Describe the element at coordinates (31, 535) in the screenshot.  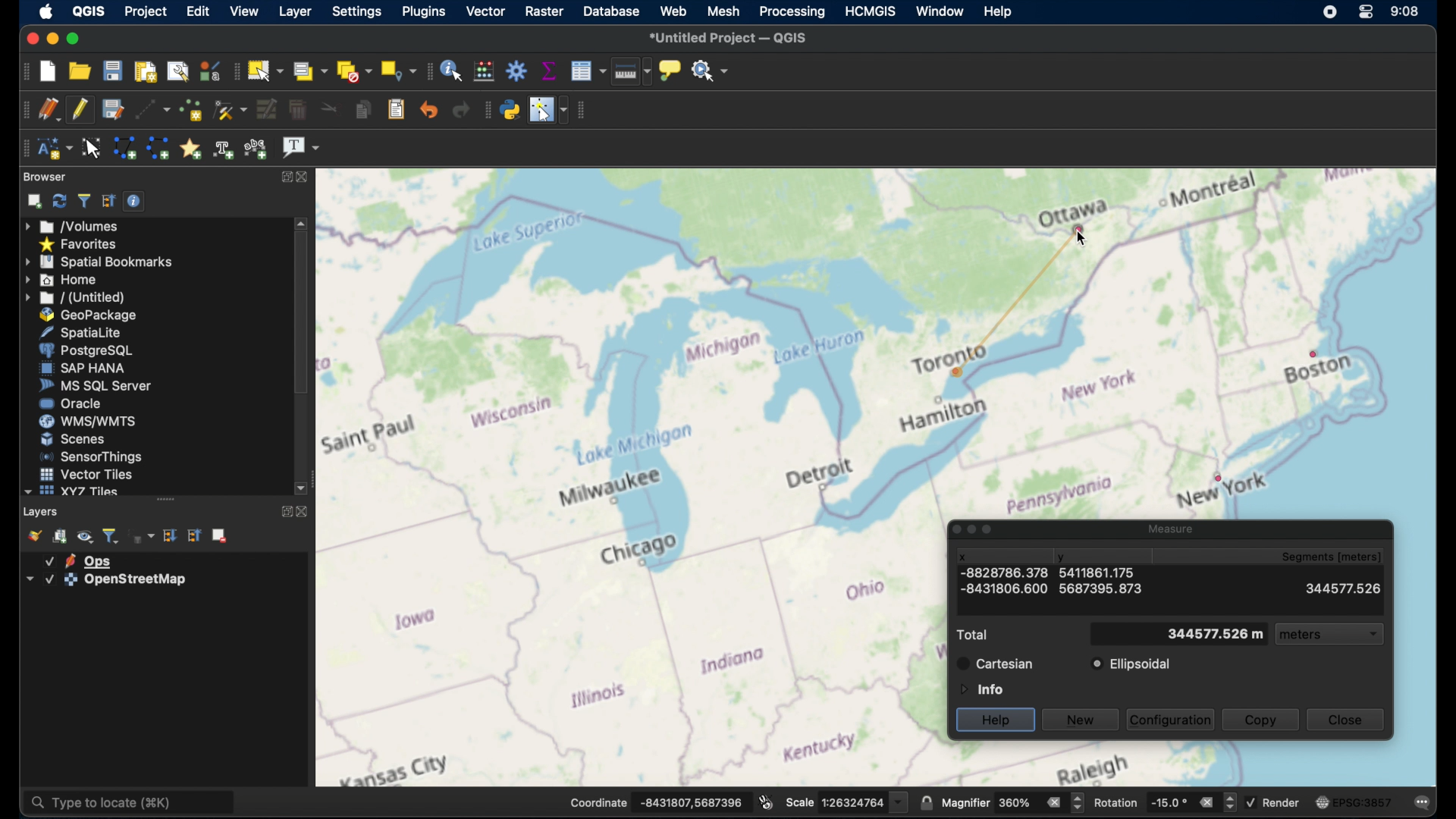
I see `open map layer` at that location.